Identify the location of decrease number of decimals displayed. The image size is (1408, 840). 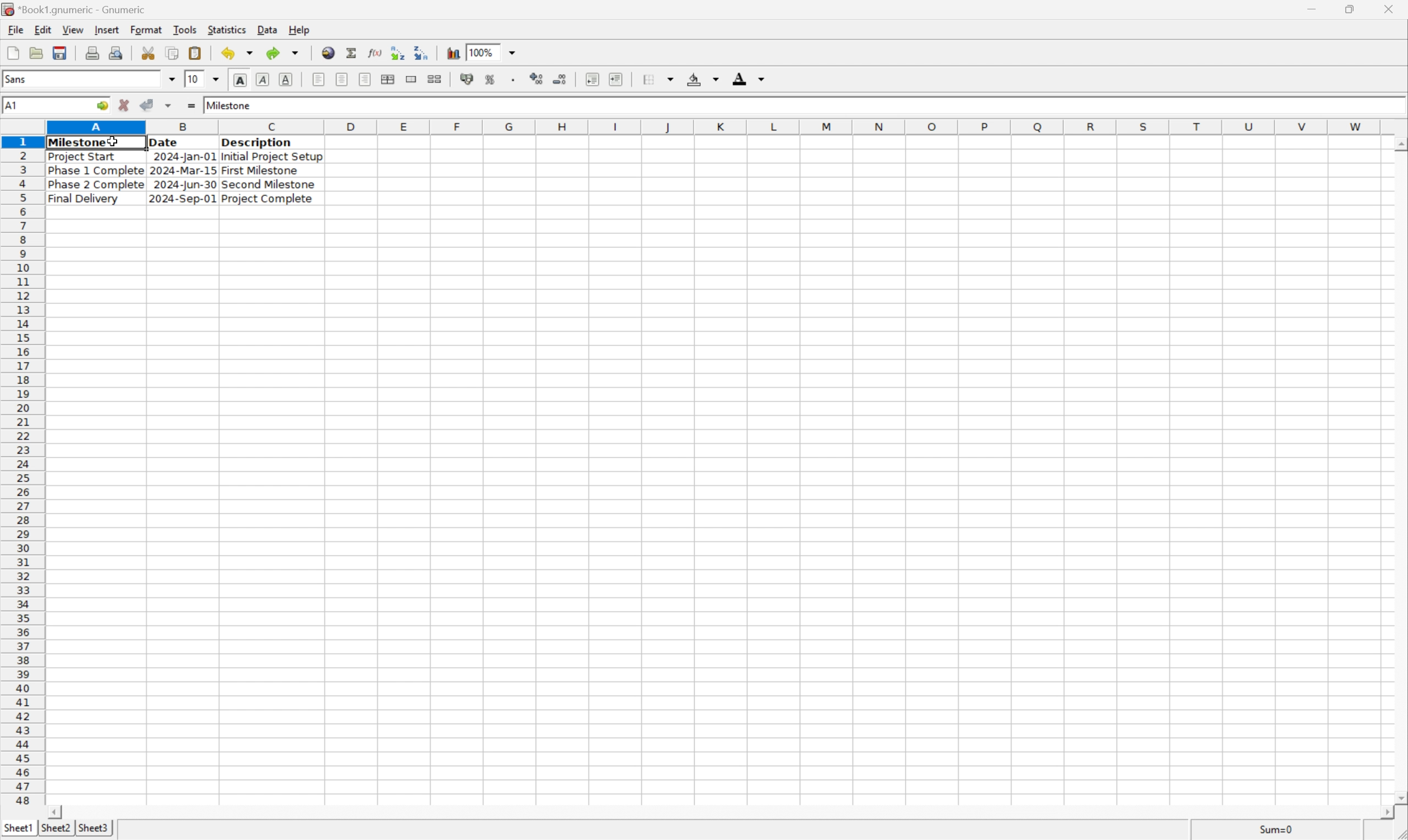
(562, 80).